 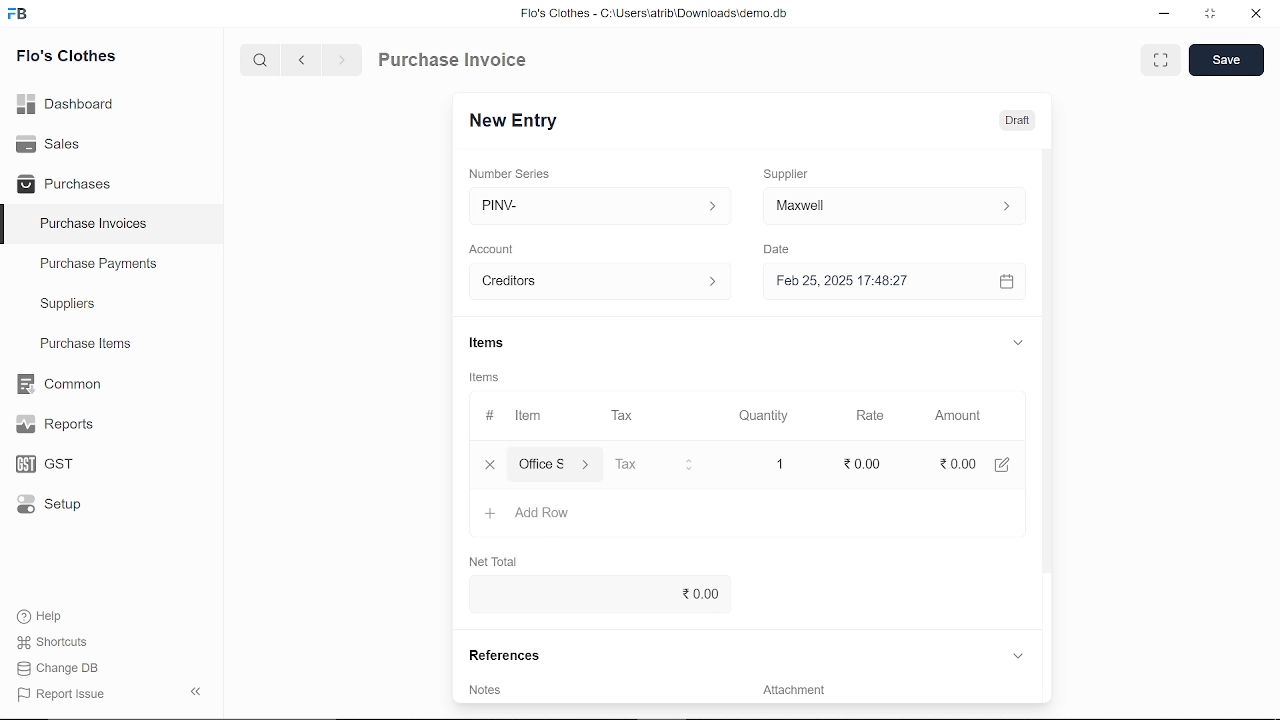 I want to click on References., so click(x=508, y=655).